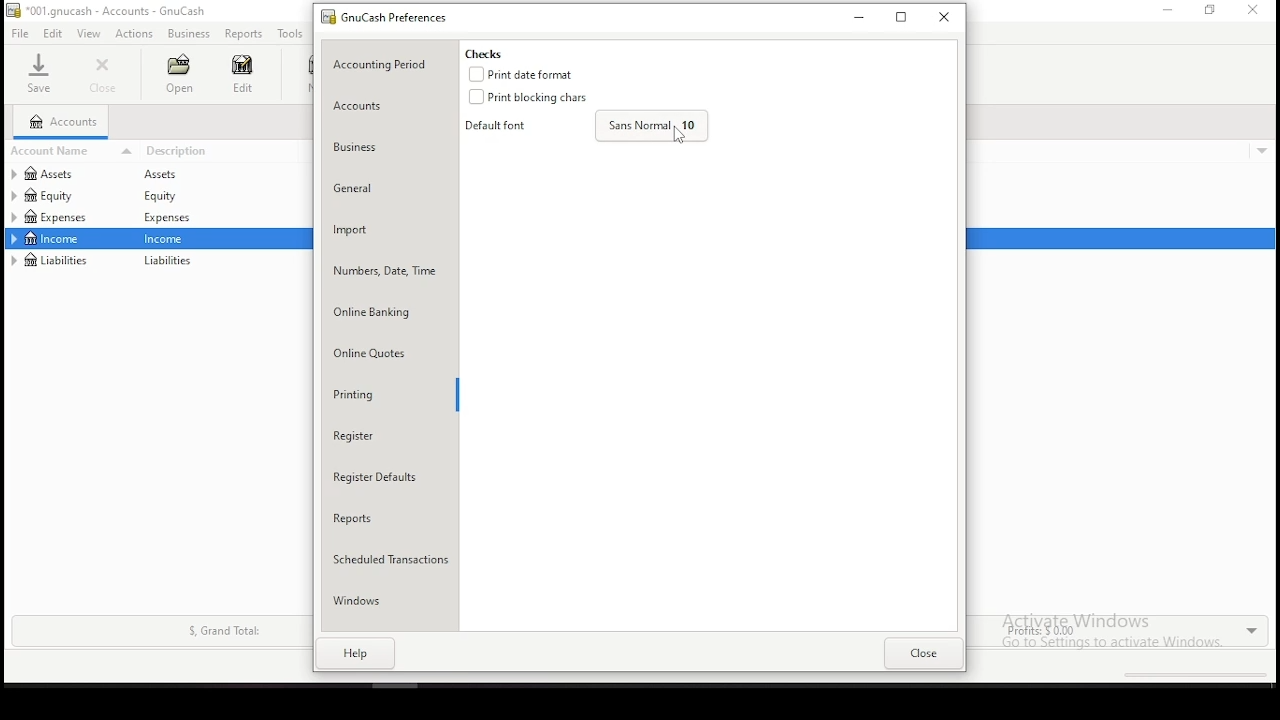  I want to click on descrtiption, so click(224, 151).